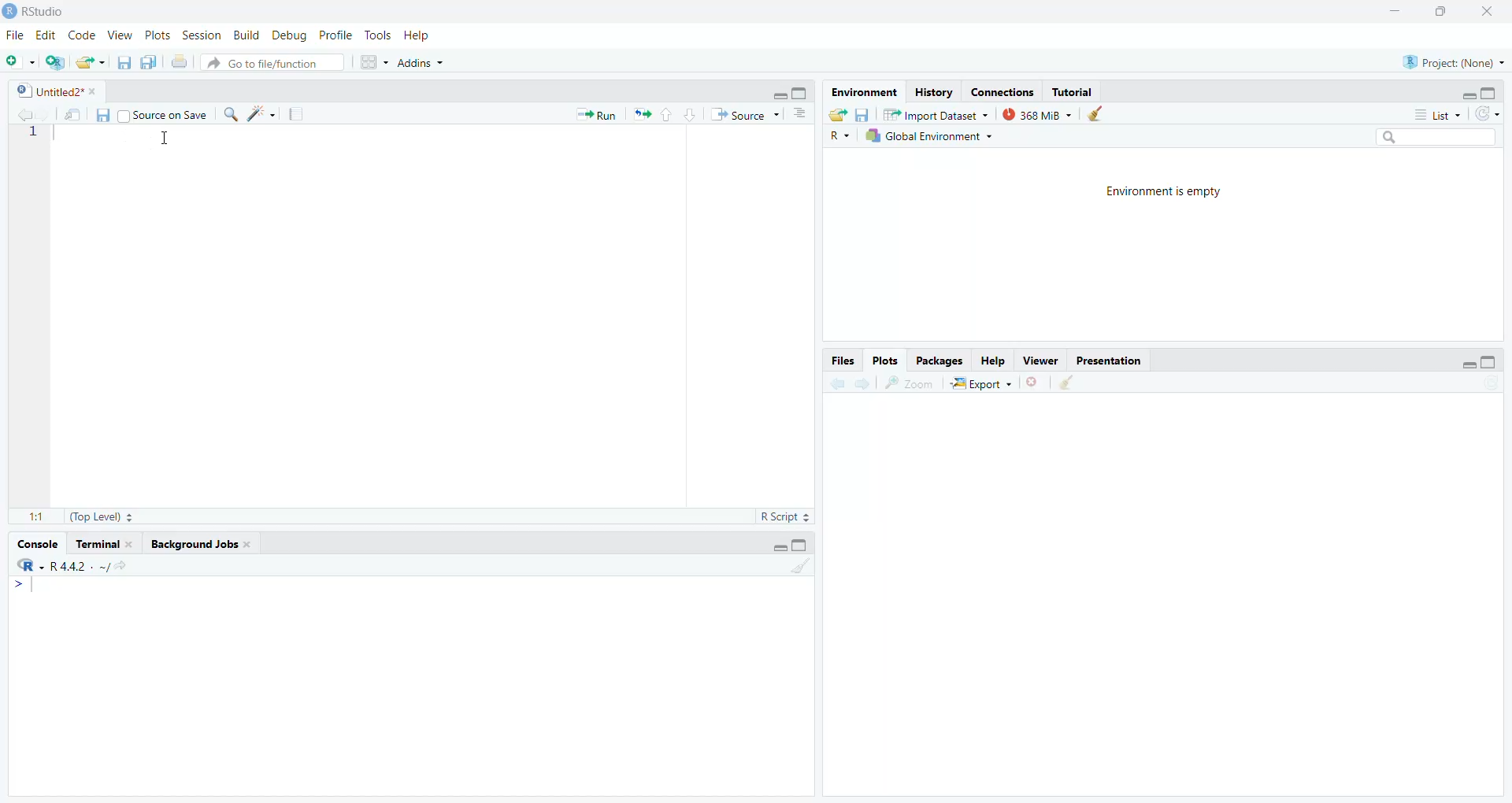  I want to click on add, so click(22, 62).